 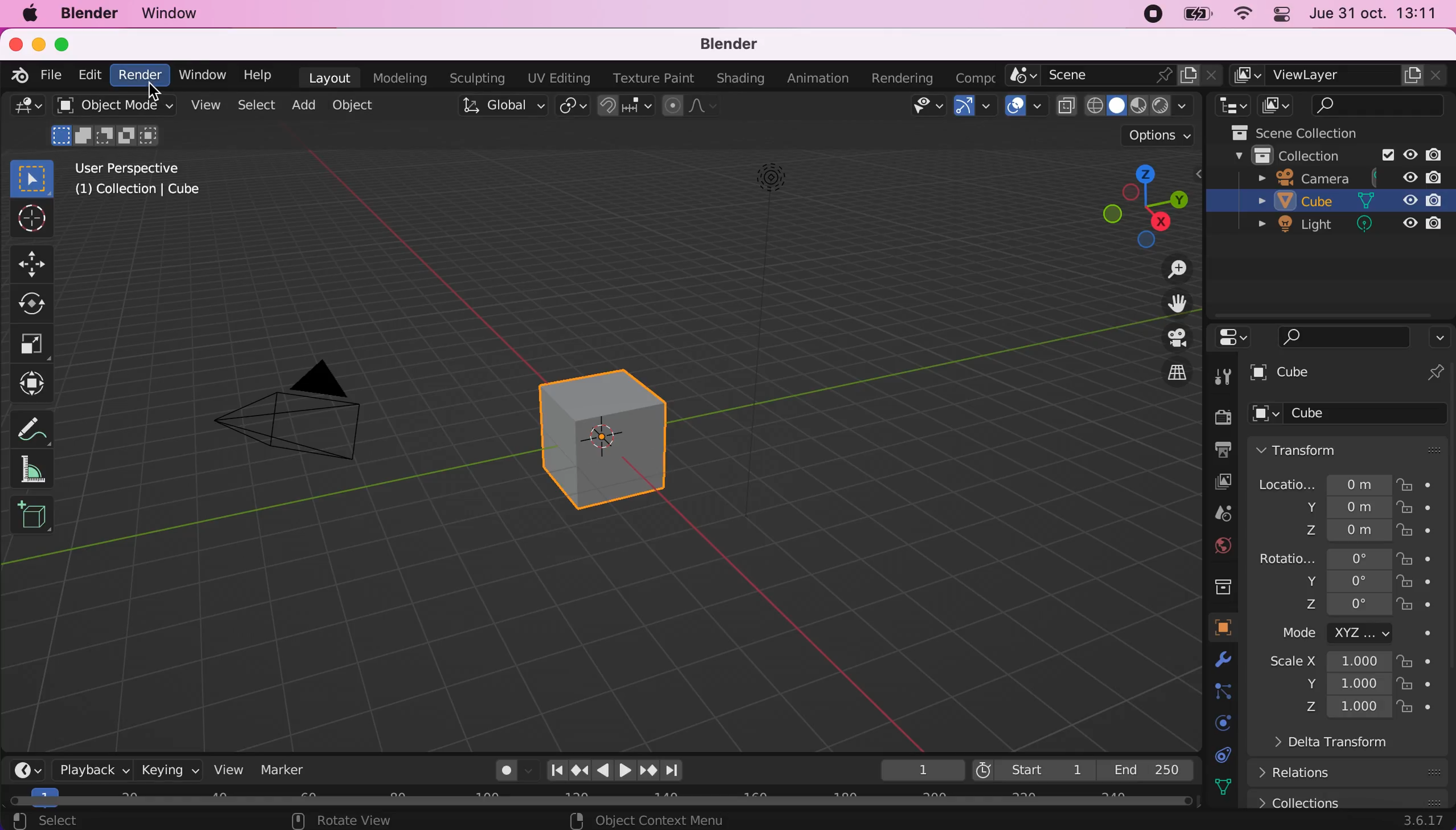 What do you see at coordinates (1302, 773) in the screenshot?
I see `relations` at bounding box center [1302, 773].